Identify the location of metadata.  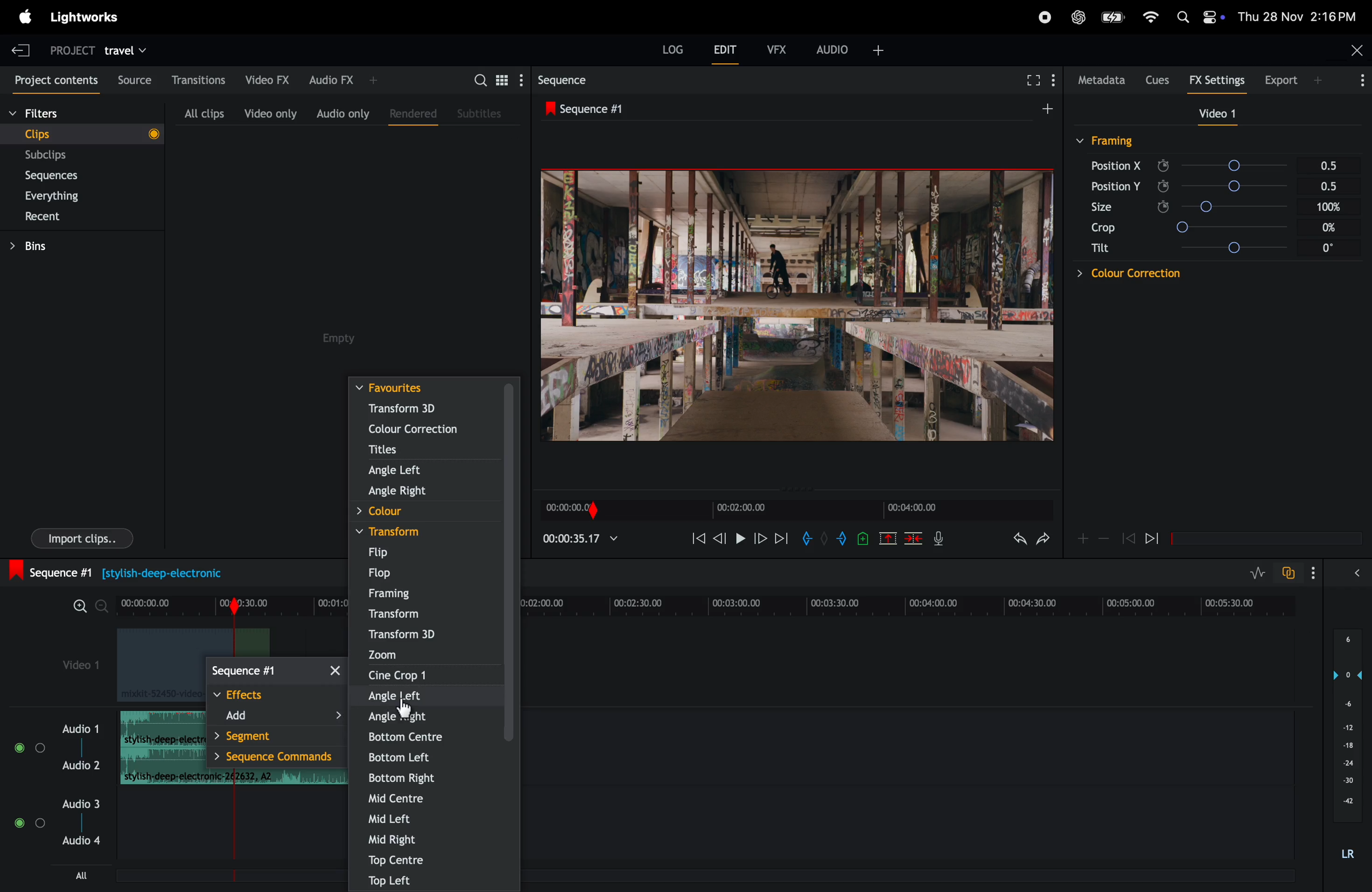
(1099, 80).